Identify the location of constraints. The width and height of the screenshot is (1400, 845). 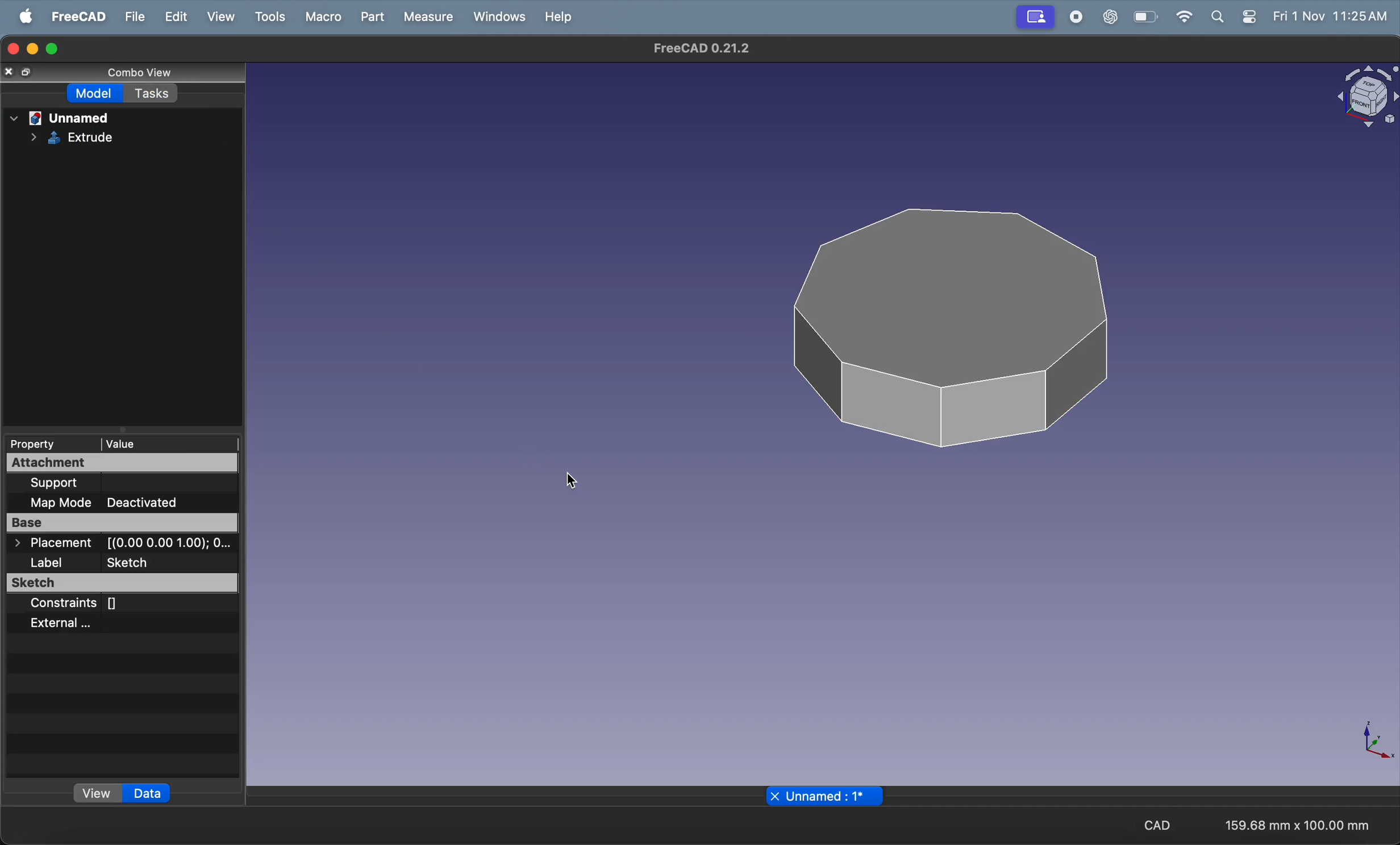
(97, 601).